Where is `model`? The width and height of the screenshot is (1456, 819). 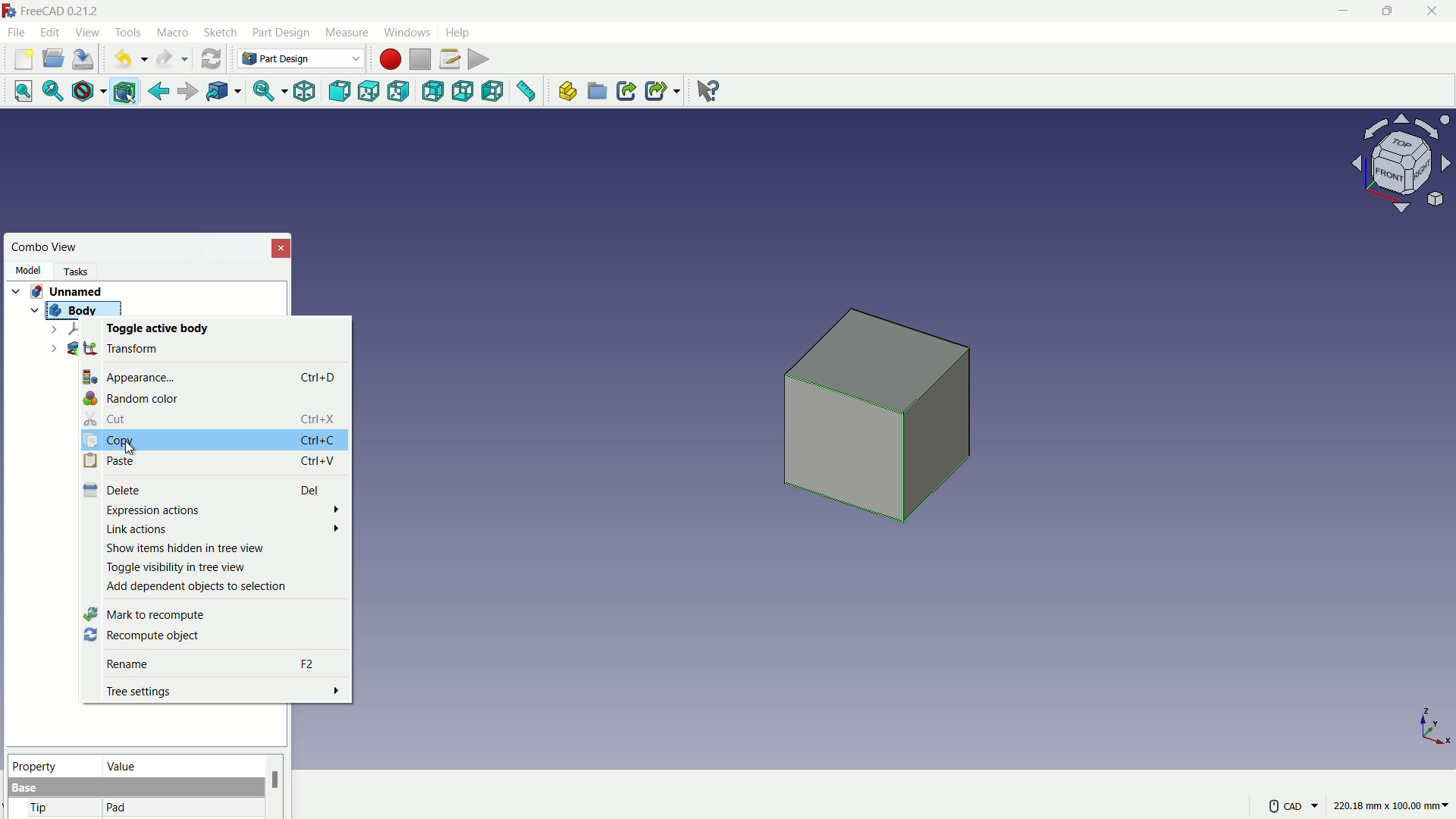 model is located at coordinates (27, 270).